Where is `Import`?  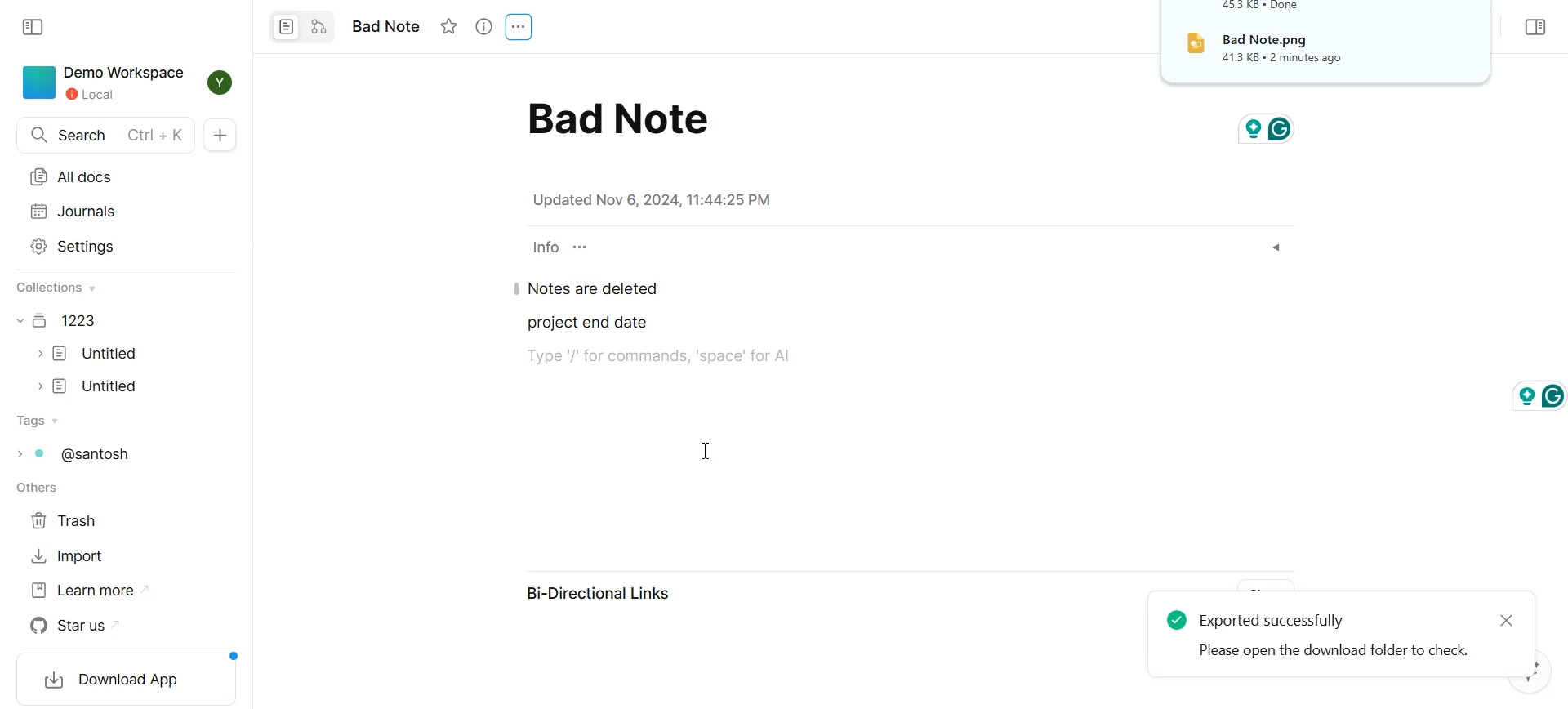 Import is located at coordinates (67, 556).